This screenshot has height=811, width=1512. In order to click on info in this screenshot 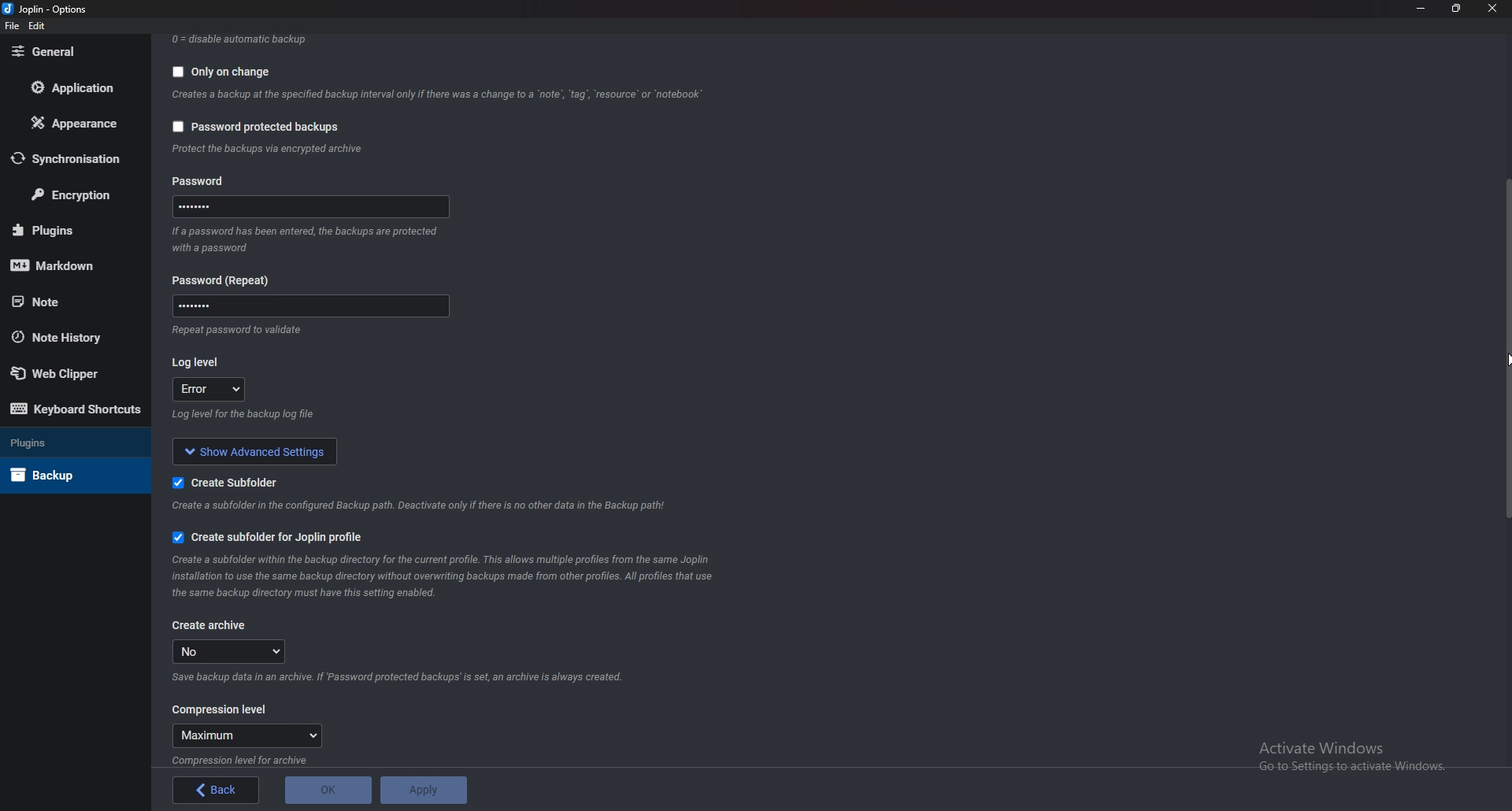, I will do `click(278, 149)`.